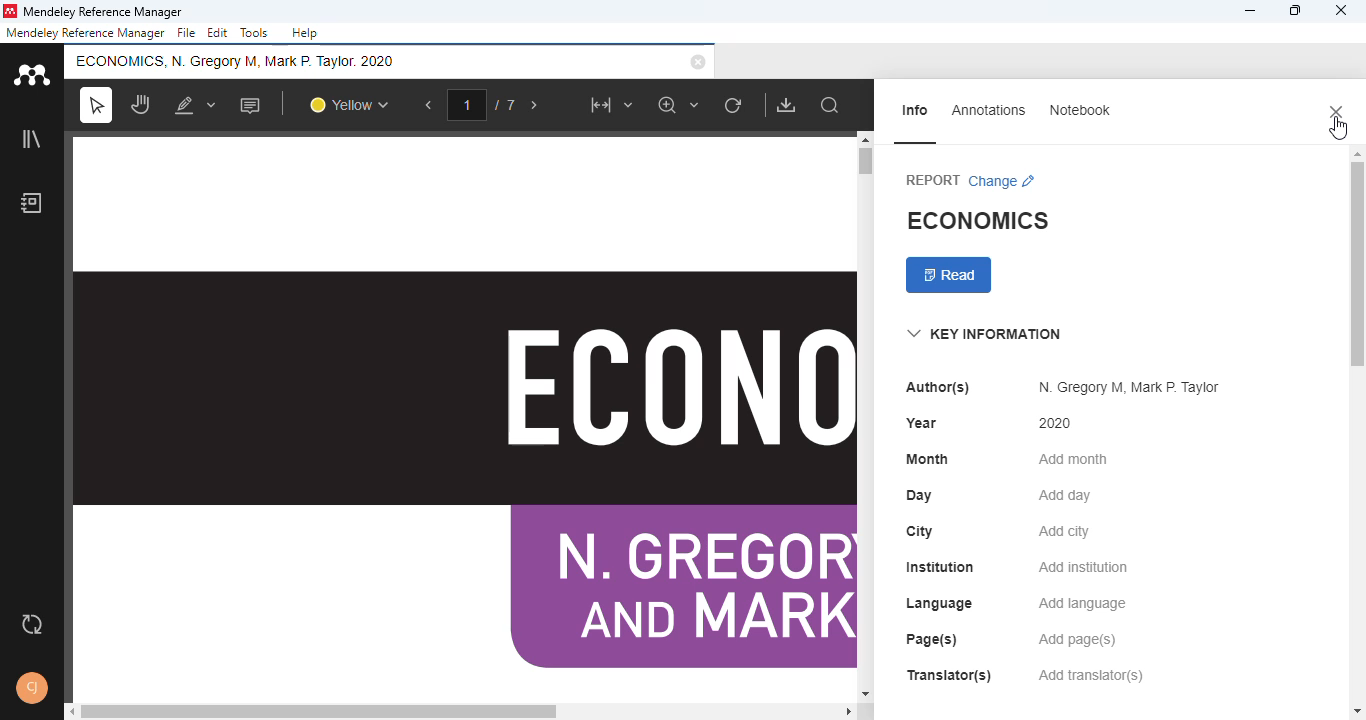  Describe the element at coordinates (940, 603) in the screenshot. I see `language` at that location.